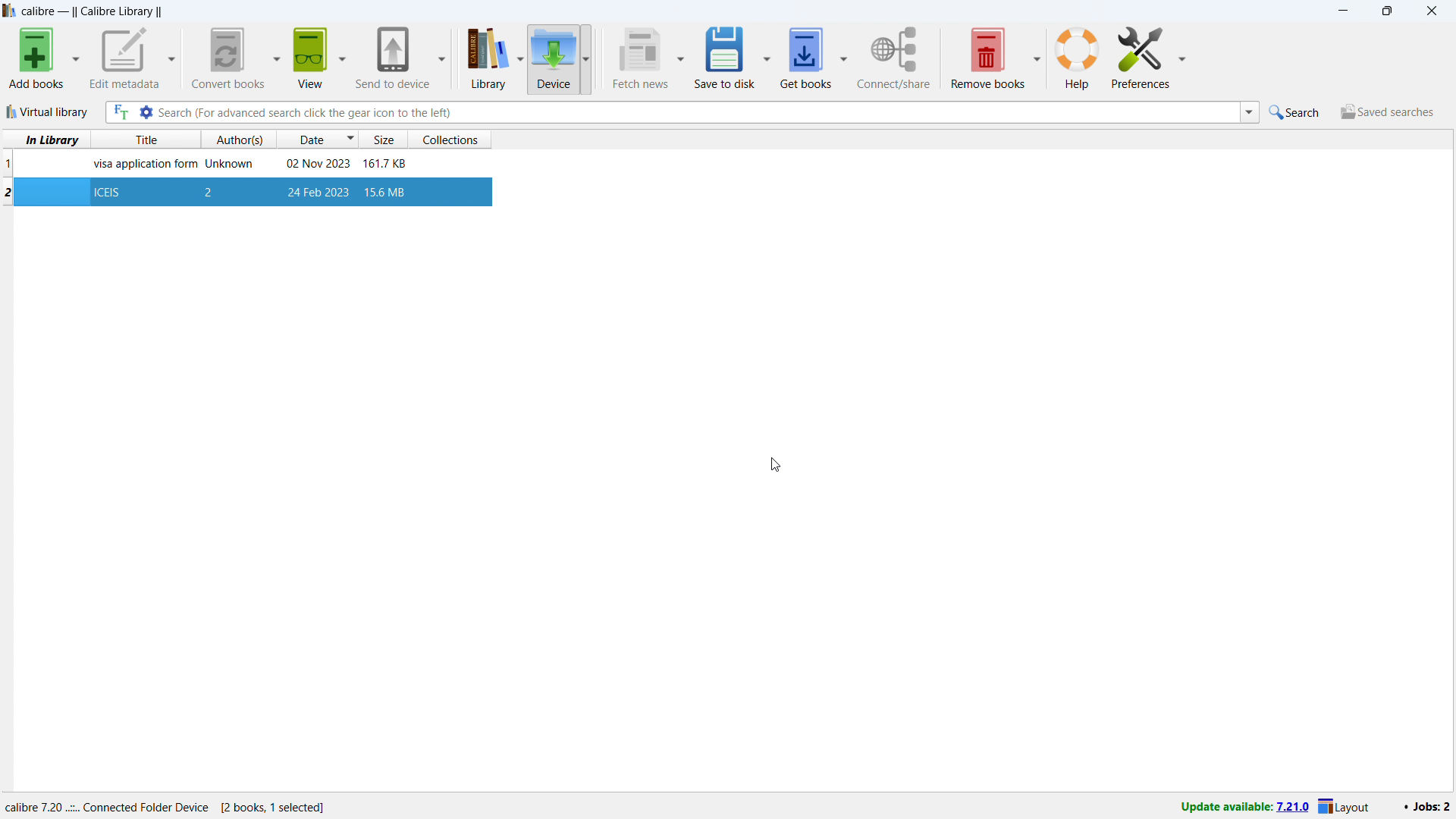  What do you see at coordinates (455, 138) in the screenshot?
I see `sort by collections` at bounding box center [455, 138].